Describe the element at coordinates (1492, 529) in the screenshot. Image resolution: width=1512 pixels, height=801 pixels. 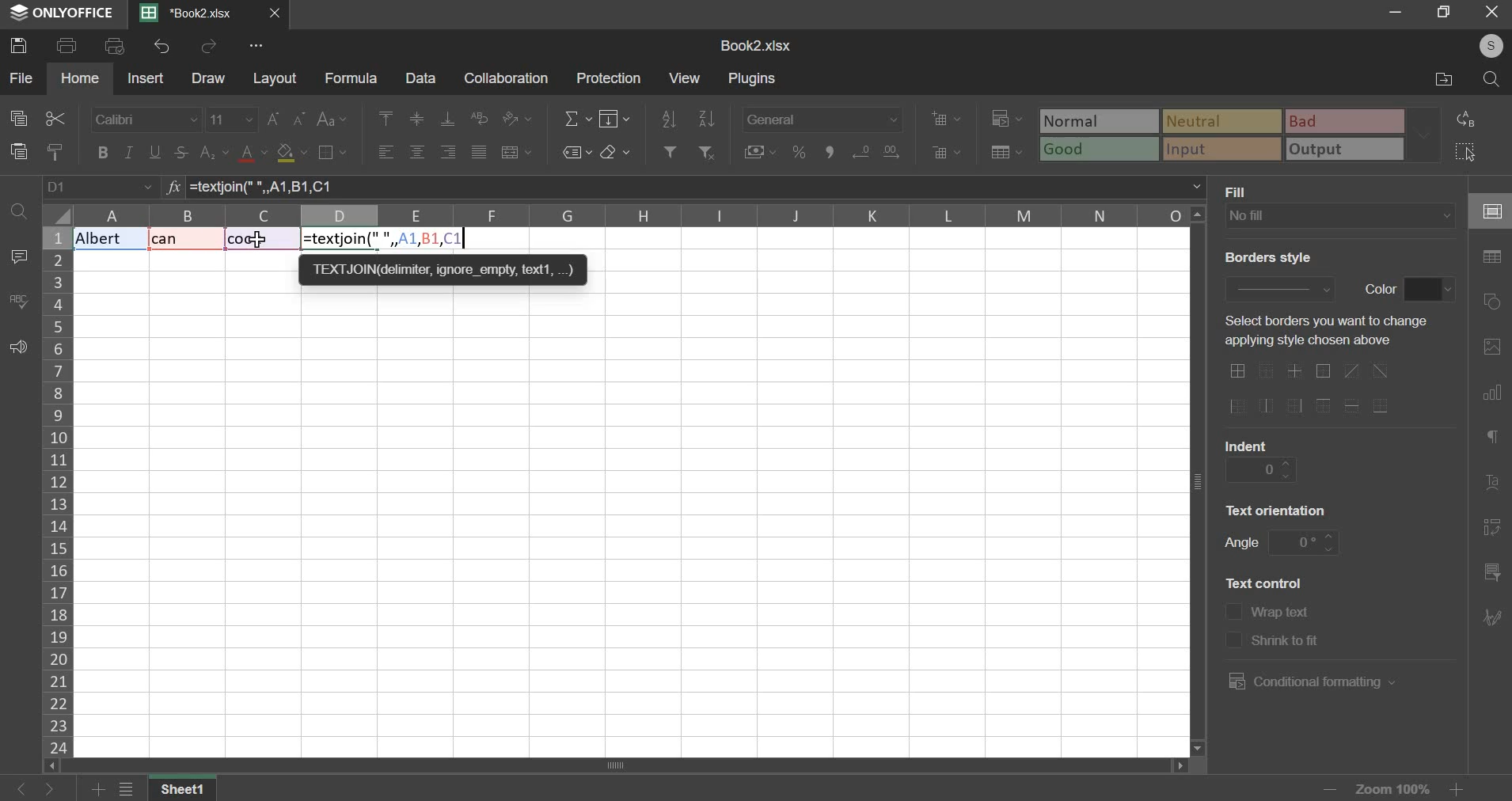
I see `pivot table` at that location.